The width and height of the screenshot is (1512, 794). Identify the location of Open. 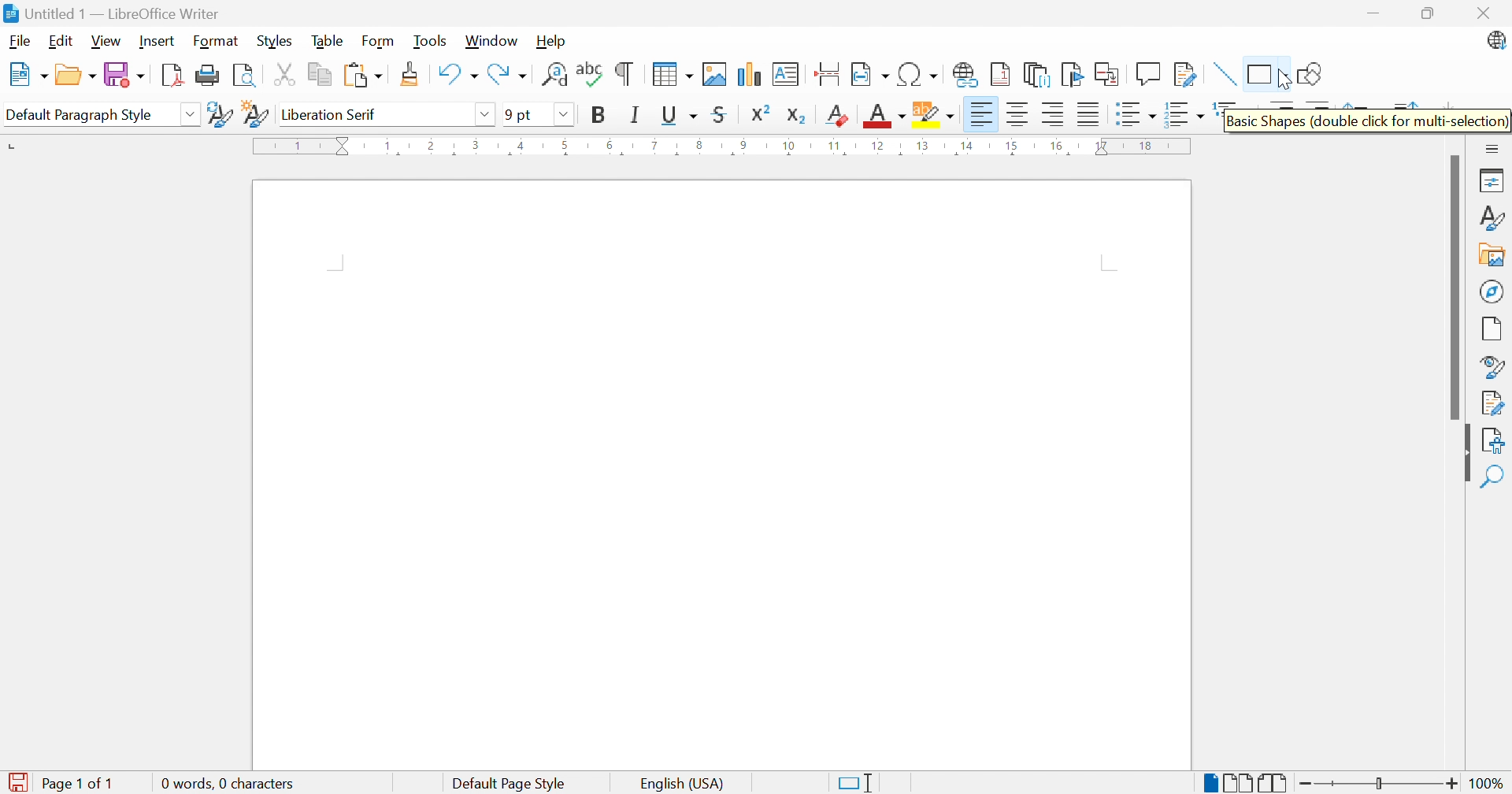
(76, 75).